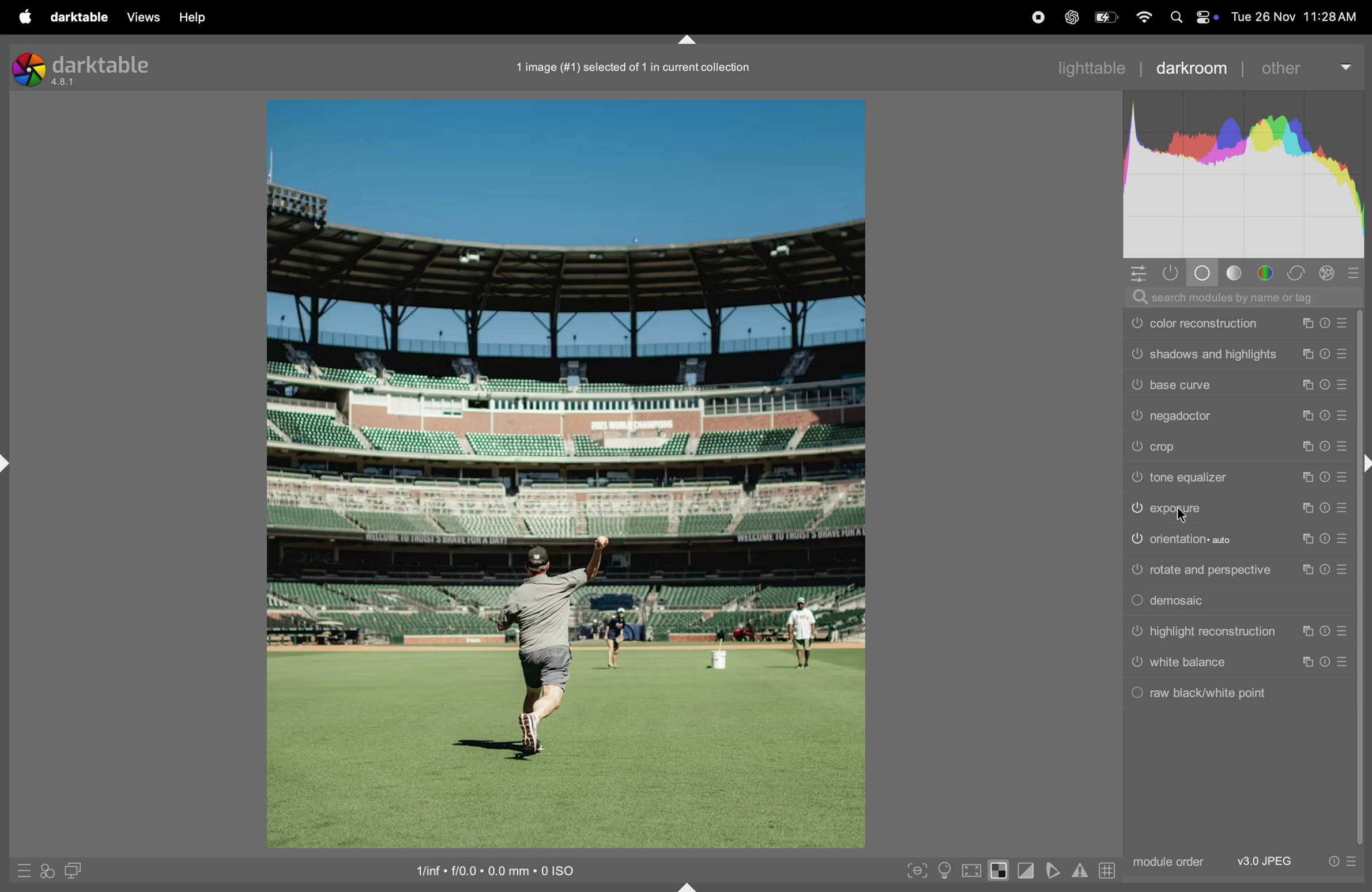  Describe the element at coordinates (1356, 272) in the screenshot. I see `presets` at that location.